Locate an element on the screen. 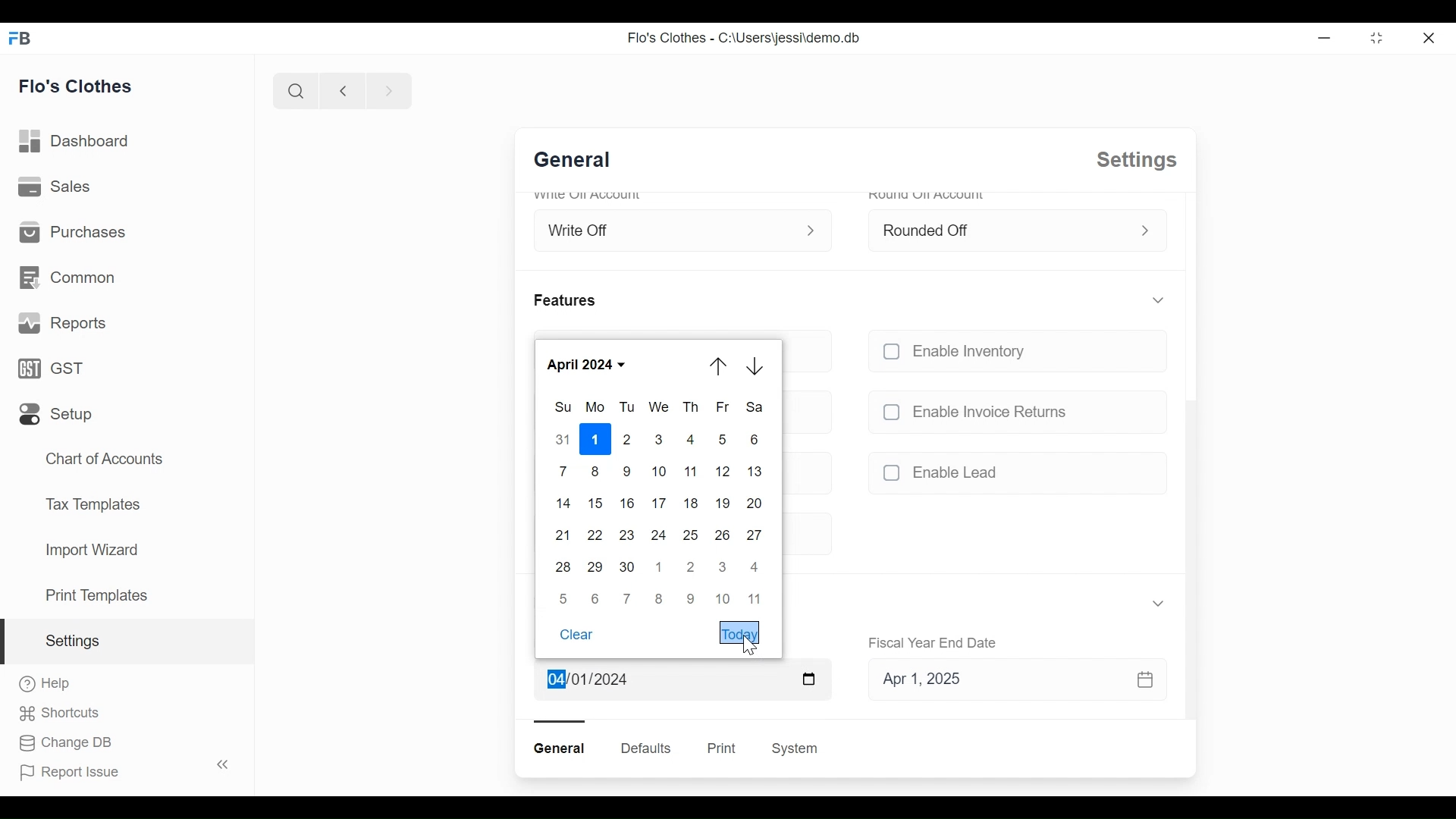 The image size is (1456, 819). Print is located at coordinates (720, 748).